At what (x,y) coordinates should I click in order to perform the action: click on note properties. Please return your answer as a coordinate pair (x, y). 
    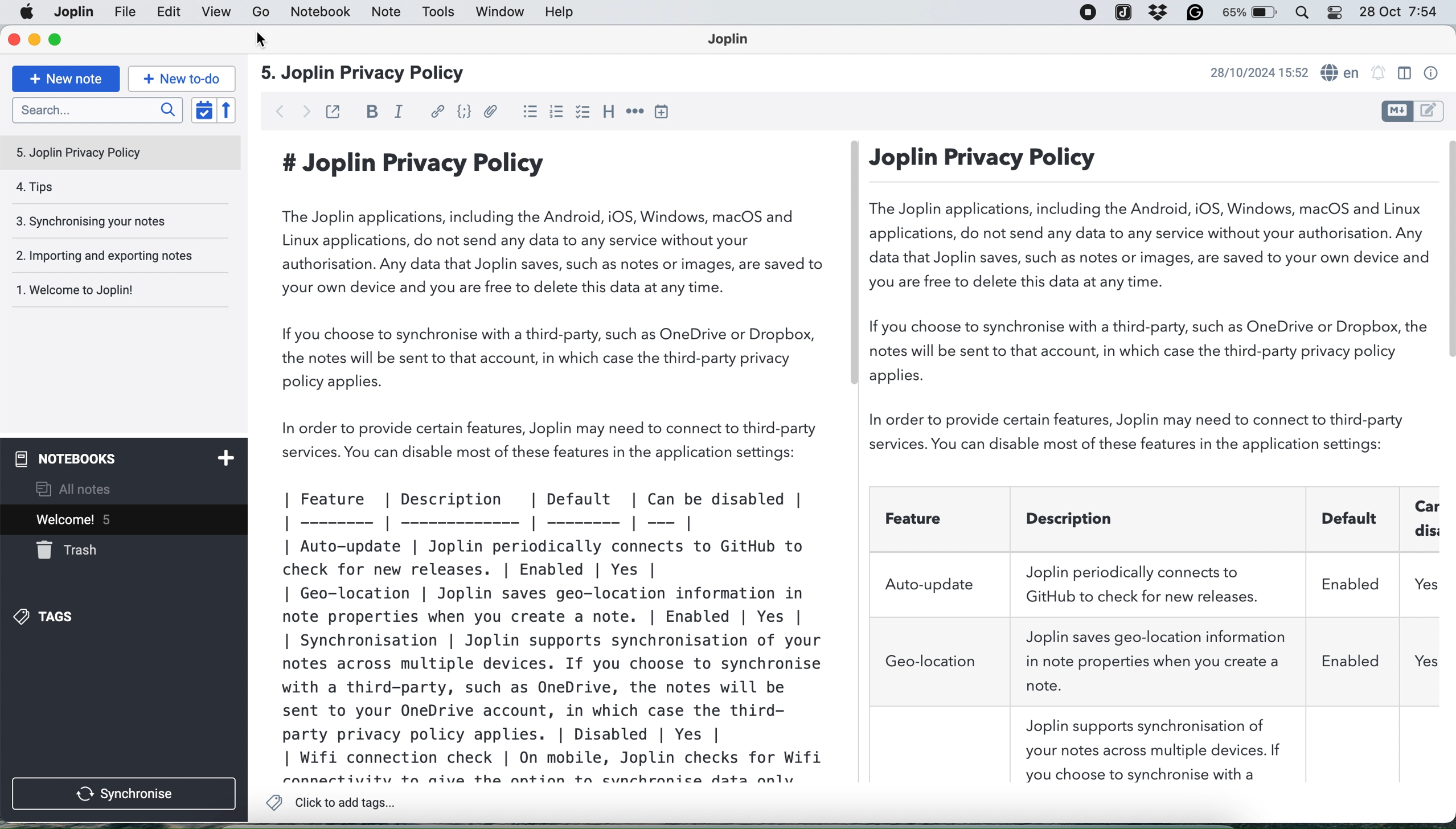
    Looking at the image, I should click on (1430, 73).